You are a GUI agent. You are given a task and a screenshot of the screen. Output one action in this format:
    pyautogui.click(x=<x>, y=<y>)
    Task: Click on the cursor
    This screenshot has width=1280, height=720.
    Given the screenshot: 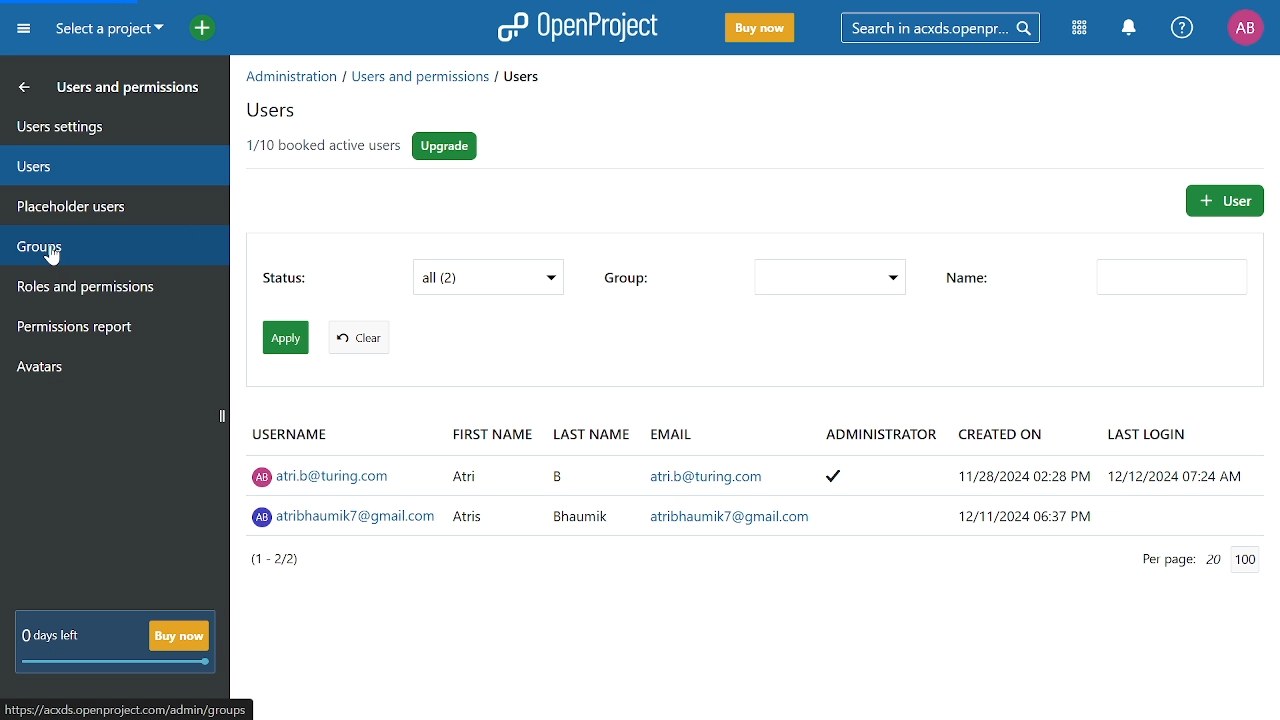 What is the action you would take?
    pyautogui.click(x=54, y=258)
    